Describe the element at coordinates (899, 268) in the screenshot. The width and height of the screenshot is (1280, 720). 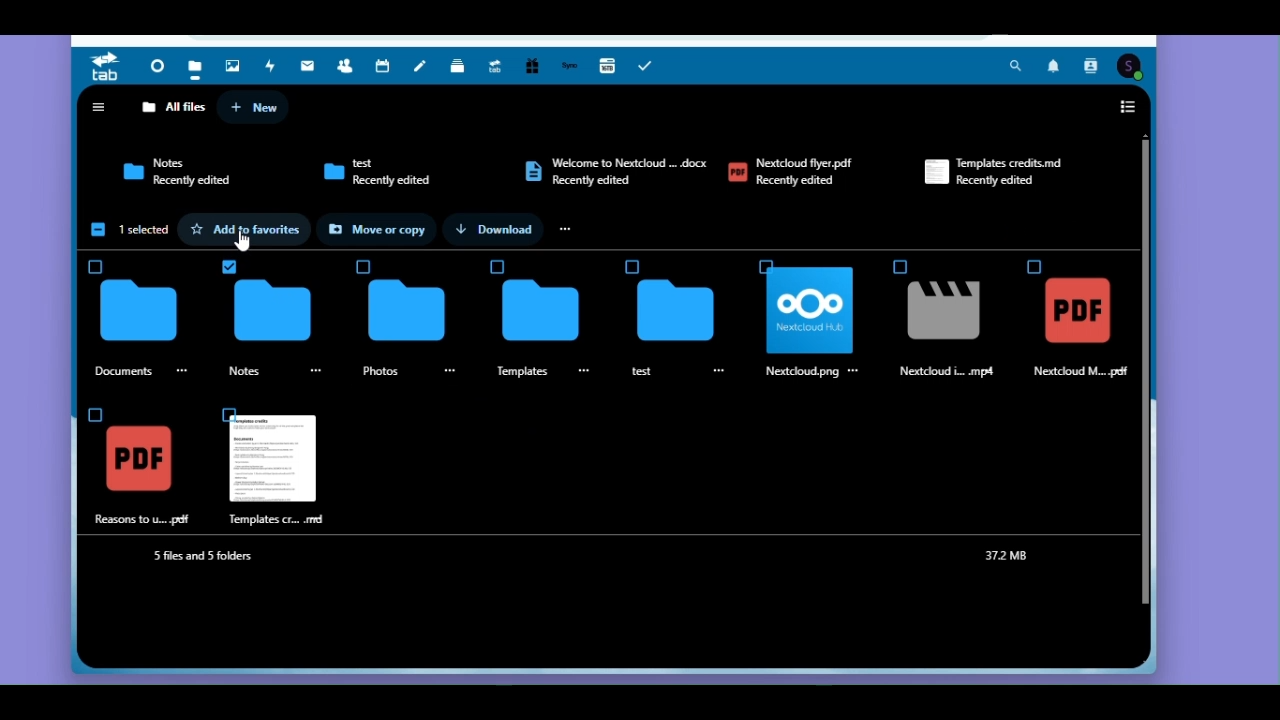
I see `Check Box` at that location.